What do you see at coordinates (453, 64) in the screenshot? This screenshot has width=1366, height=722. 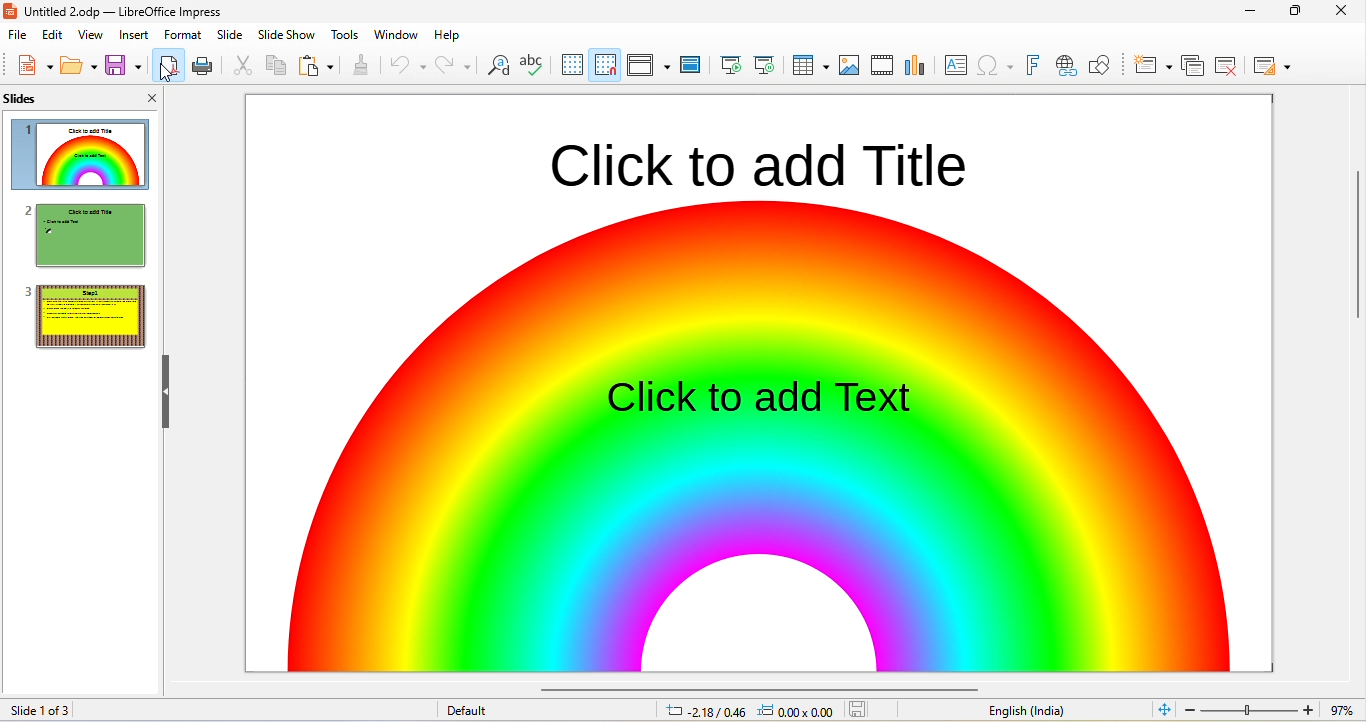 I see `redo` at bounding box center [453, 64].